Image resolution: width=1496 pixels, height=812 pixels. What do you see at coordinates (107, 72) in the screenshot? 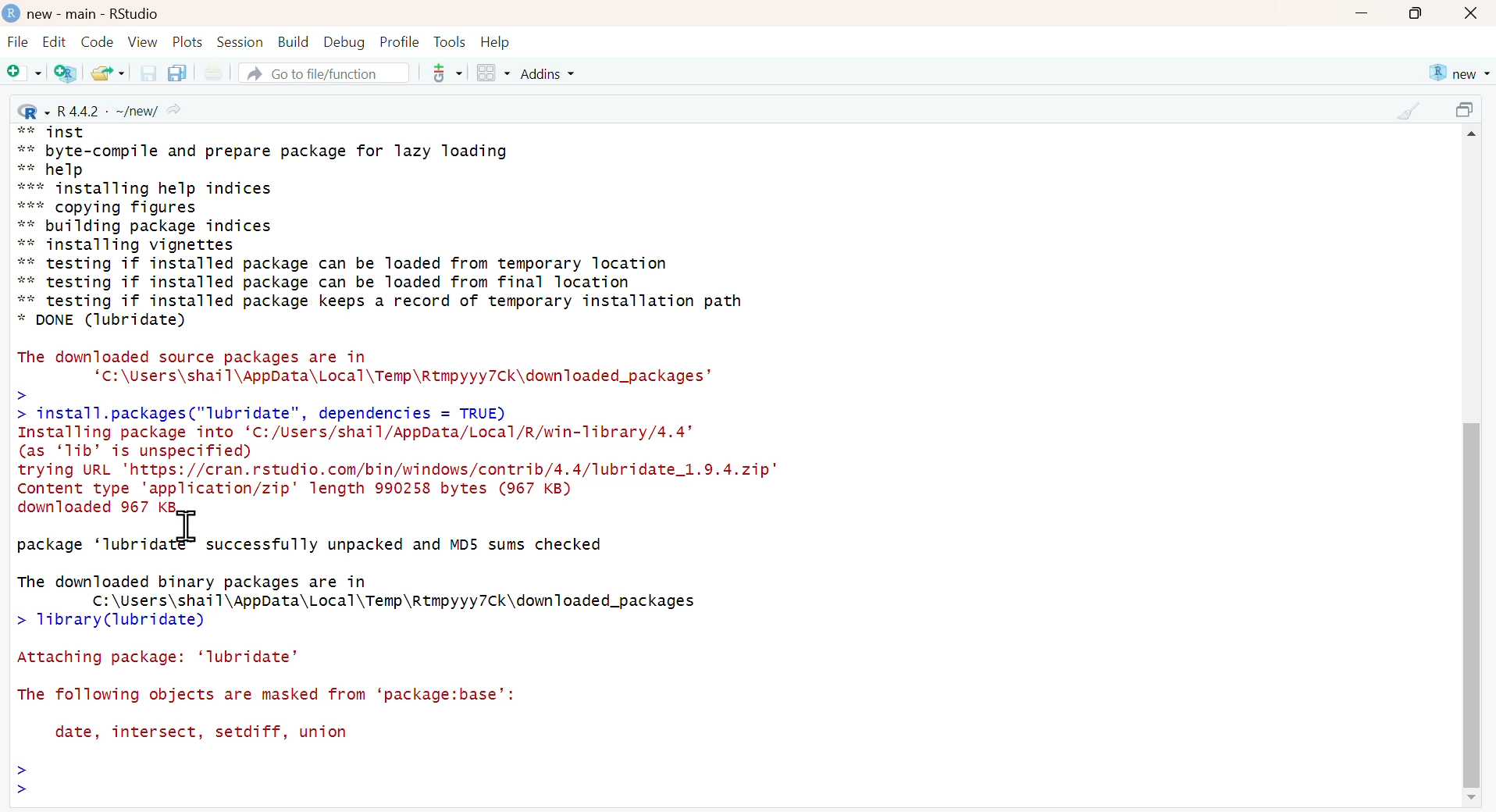
I see `open an existing file` at bounding box center [107, 72].